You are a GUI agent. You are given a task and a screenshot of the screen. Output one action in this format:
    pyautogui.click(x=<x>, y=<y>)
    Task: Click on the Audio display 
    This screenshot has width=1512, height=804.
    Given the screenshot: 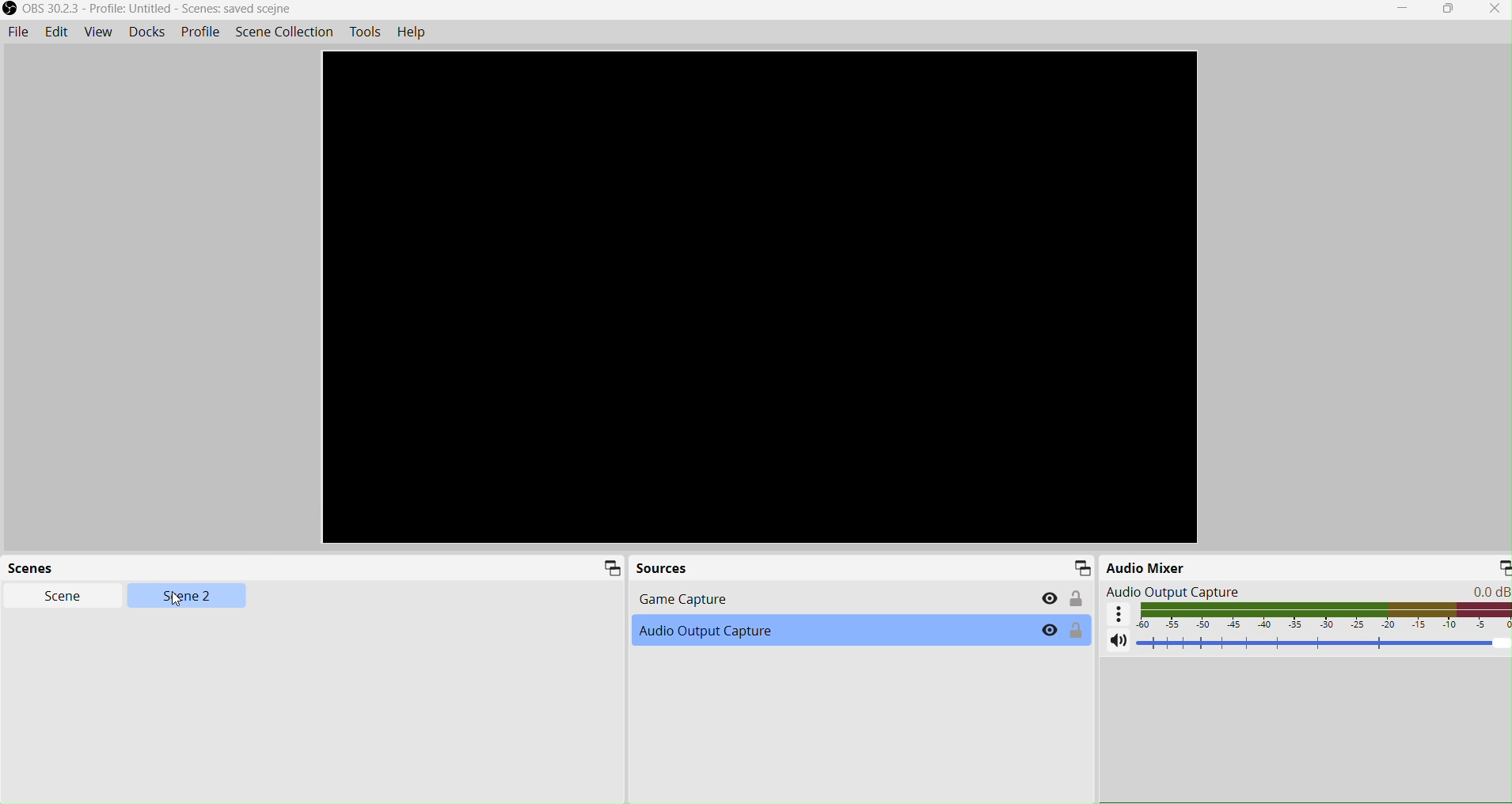 What is the action you would take?
    pyautogui.click(x=1324, y=615)
    